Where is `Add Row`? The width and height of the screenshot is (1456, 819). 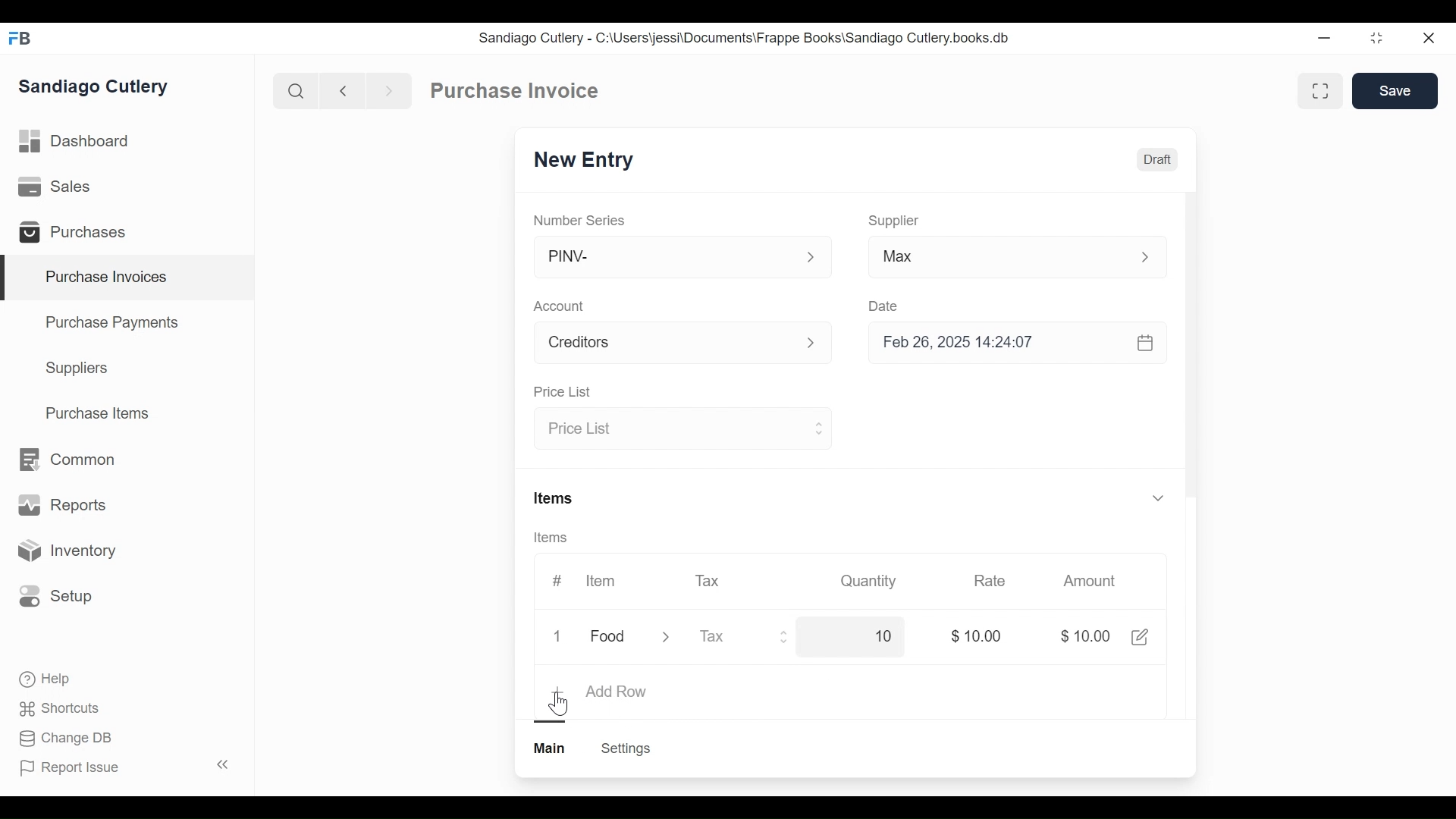 Add Row is located at coordinates (617, 692).